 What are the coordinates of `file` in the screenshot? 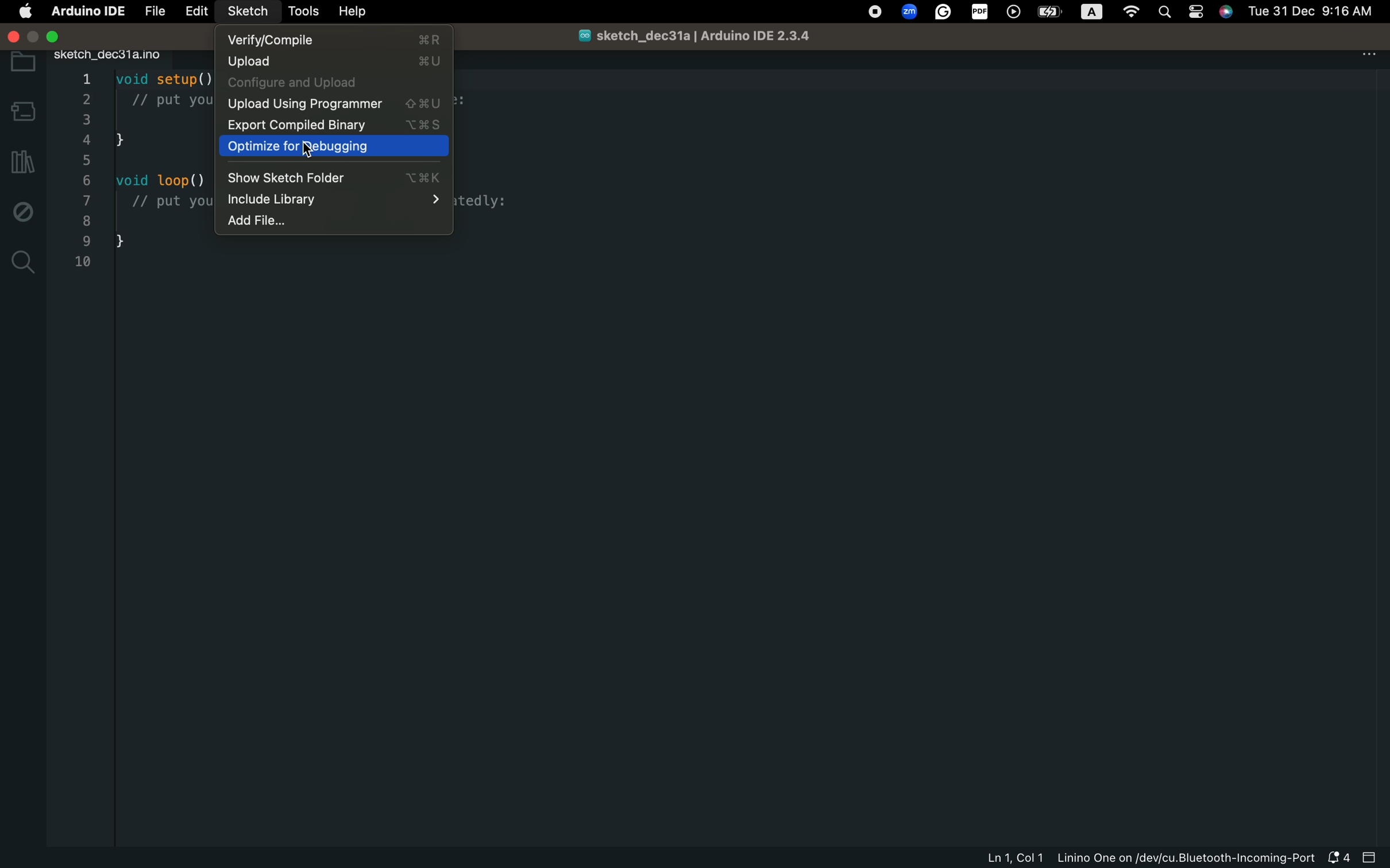 It's located at (155, 12).